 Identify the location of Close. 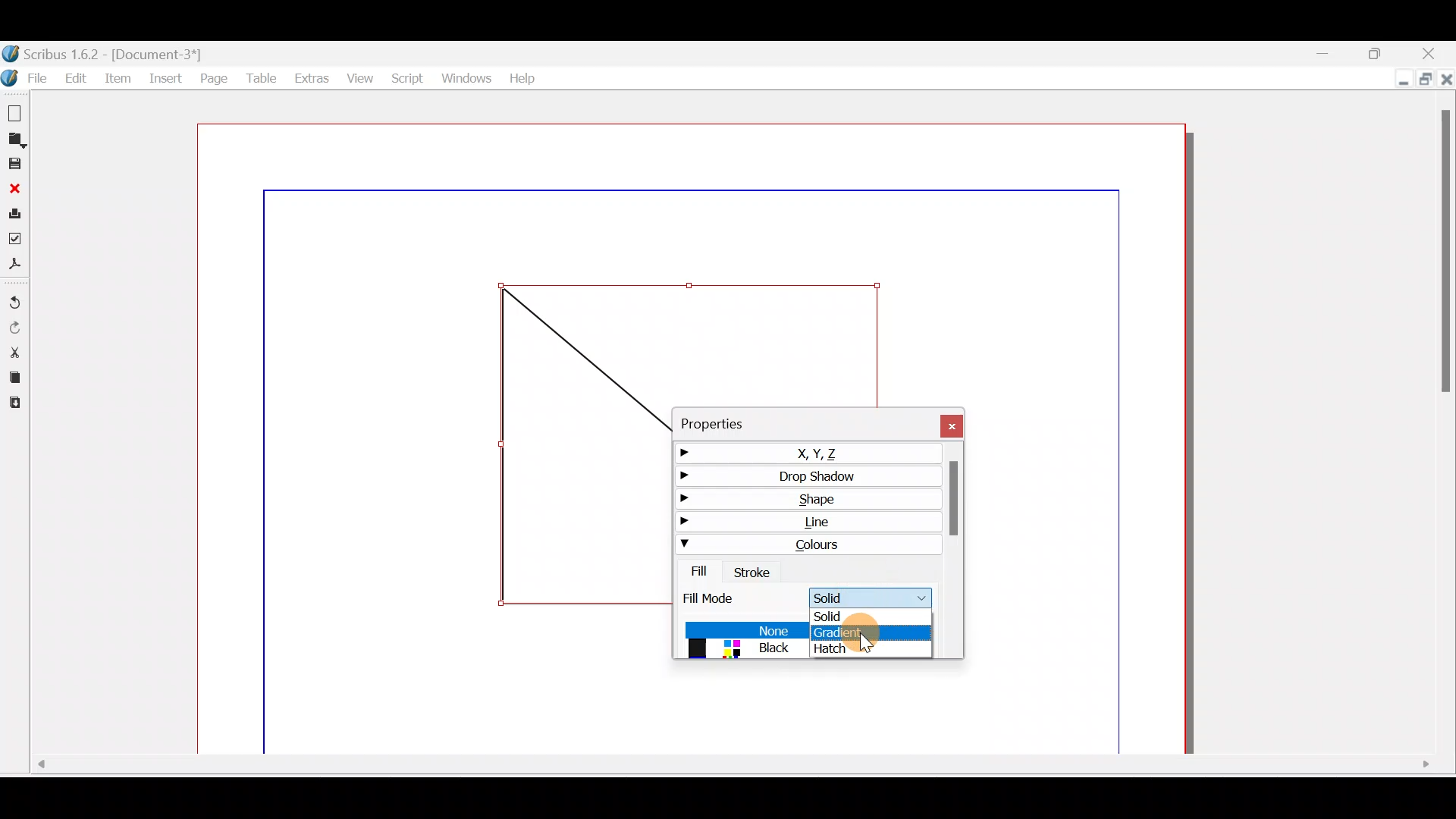
(1445, 83).